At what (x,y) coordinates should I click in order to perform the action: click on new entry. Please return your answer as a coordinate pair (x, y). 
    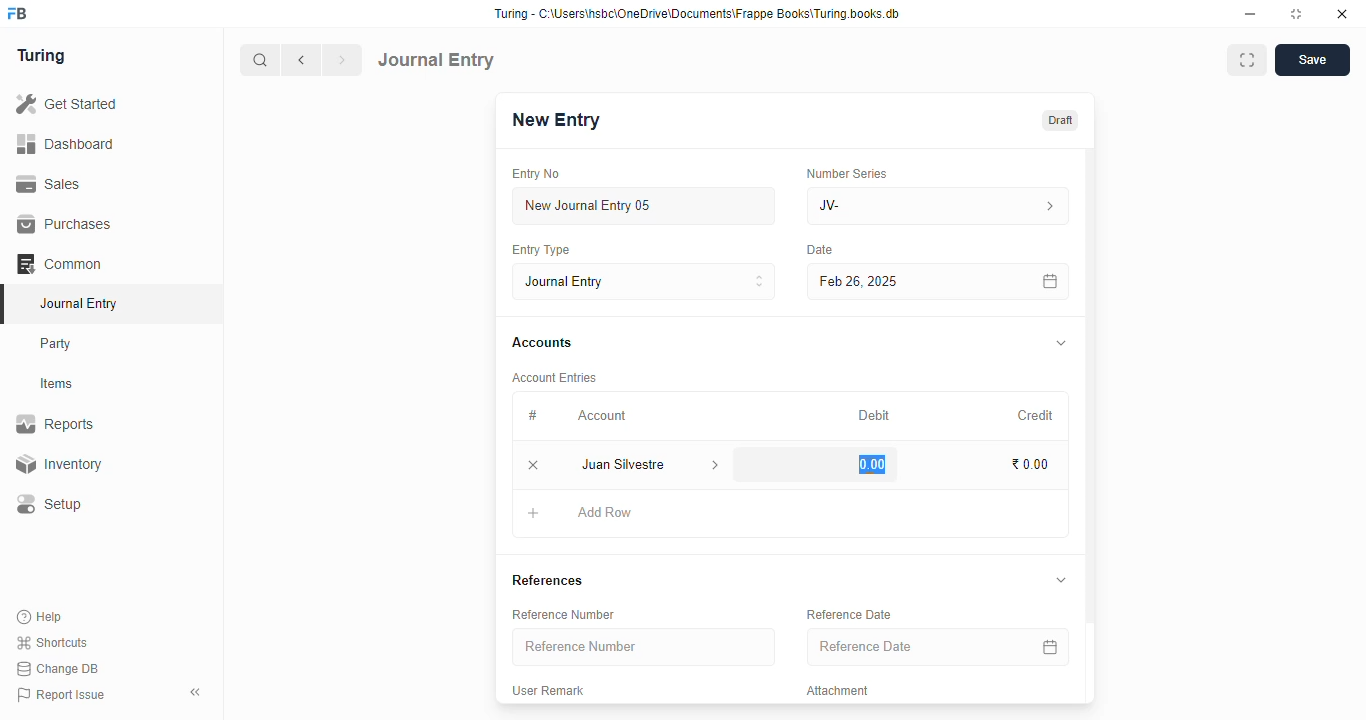
    Looking at the image, I should click on (555, 120).